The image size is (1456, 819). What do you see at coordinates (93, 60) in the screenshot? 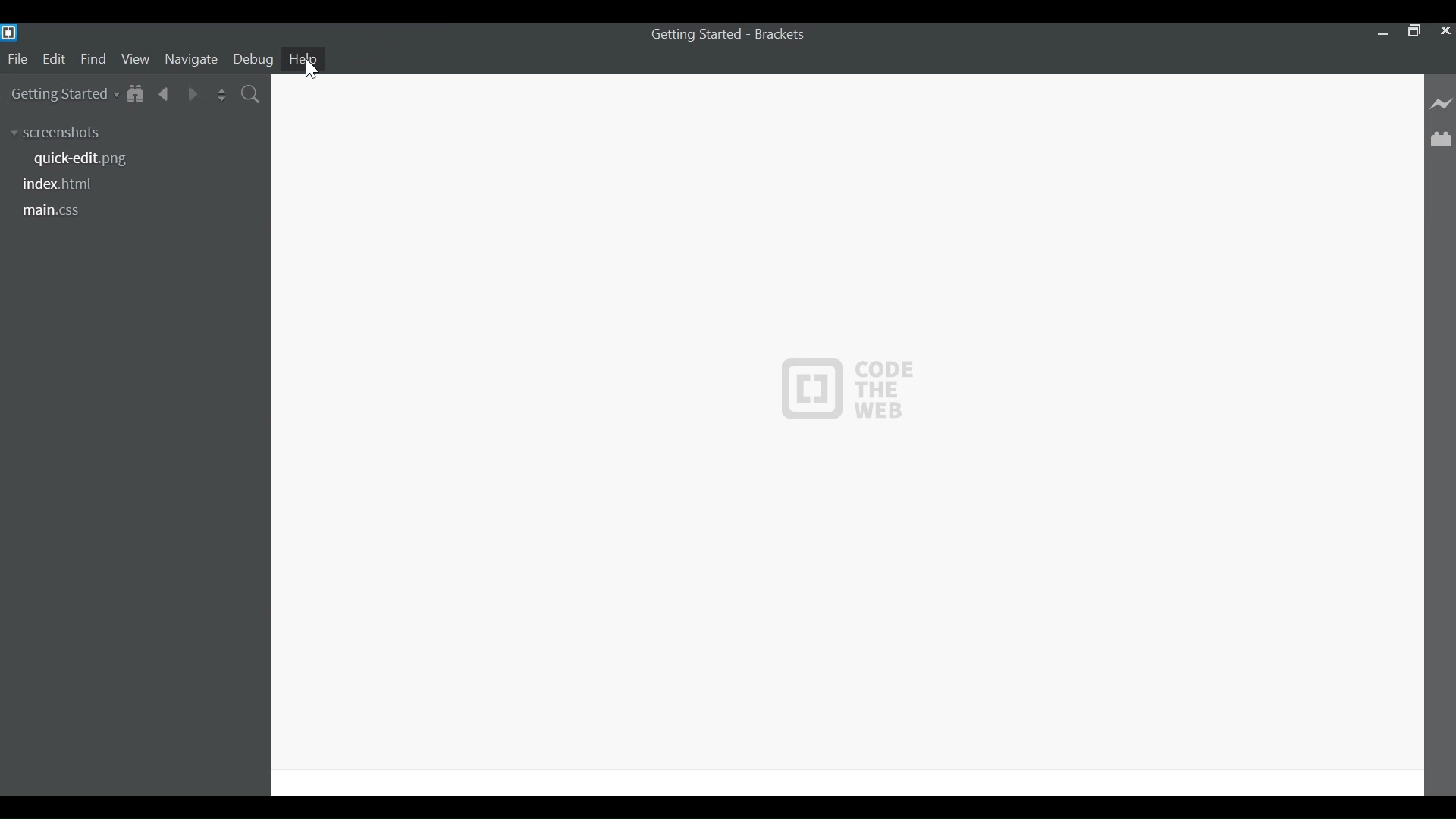
I see `Find` at bounding box center [93, 60].